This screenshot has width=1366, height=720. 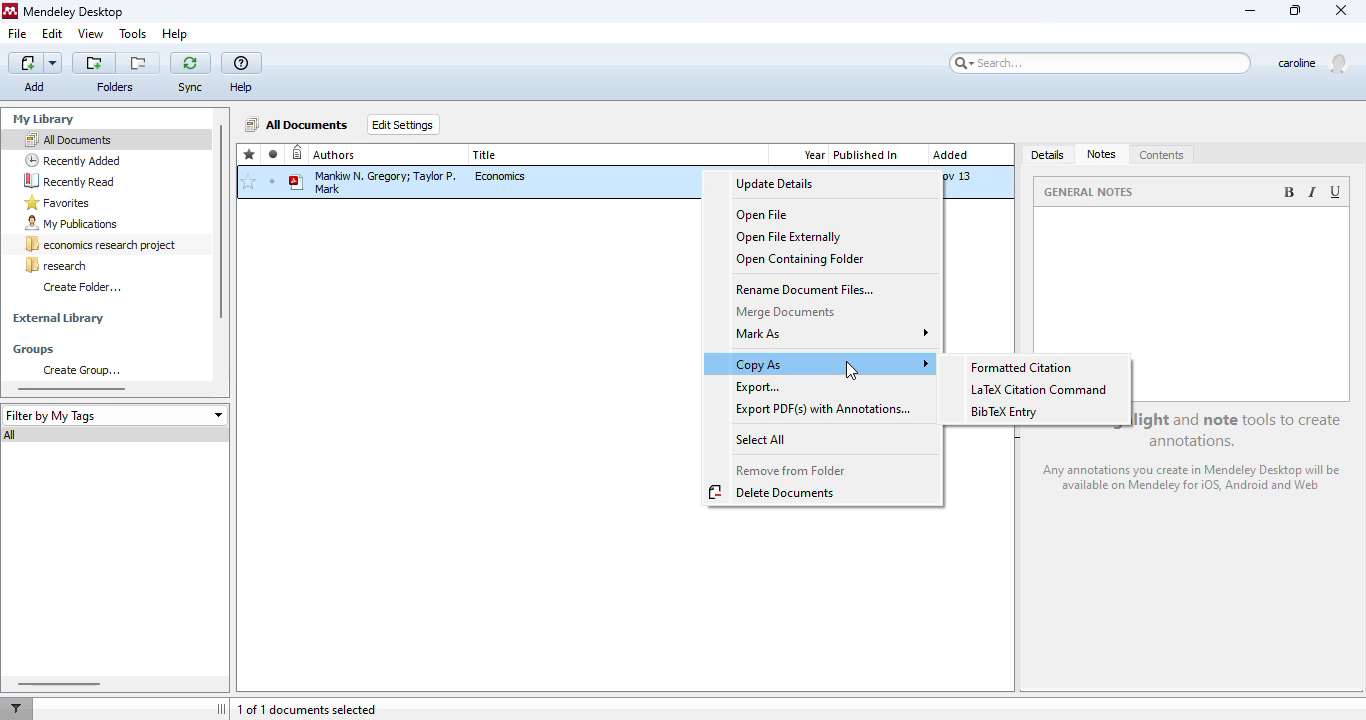 I want to click on tools, so click(x=133, y=35).